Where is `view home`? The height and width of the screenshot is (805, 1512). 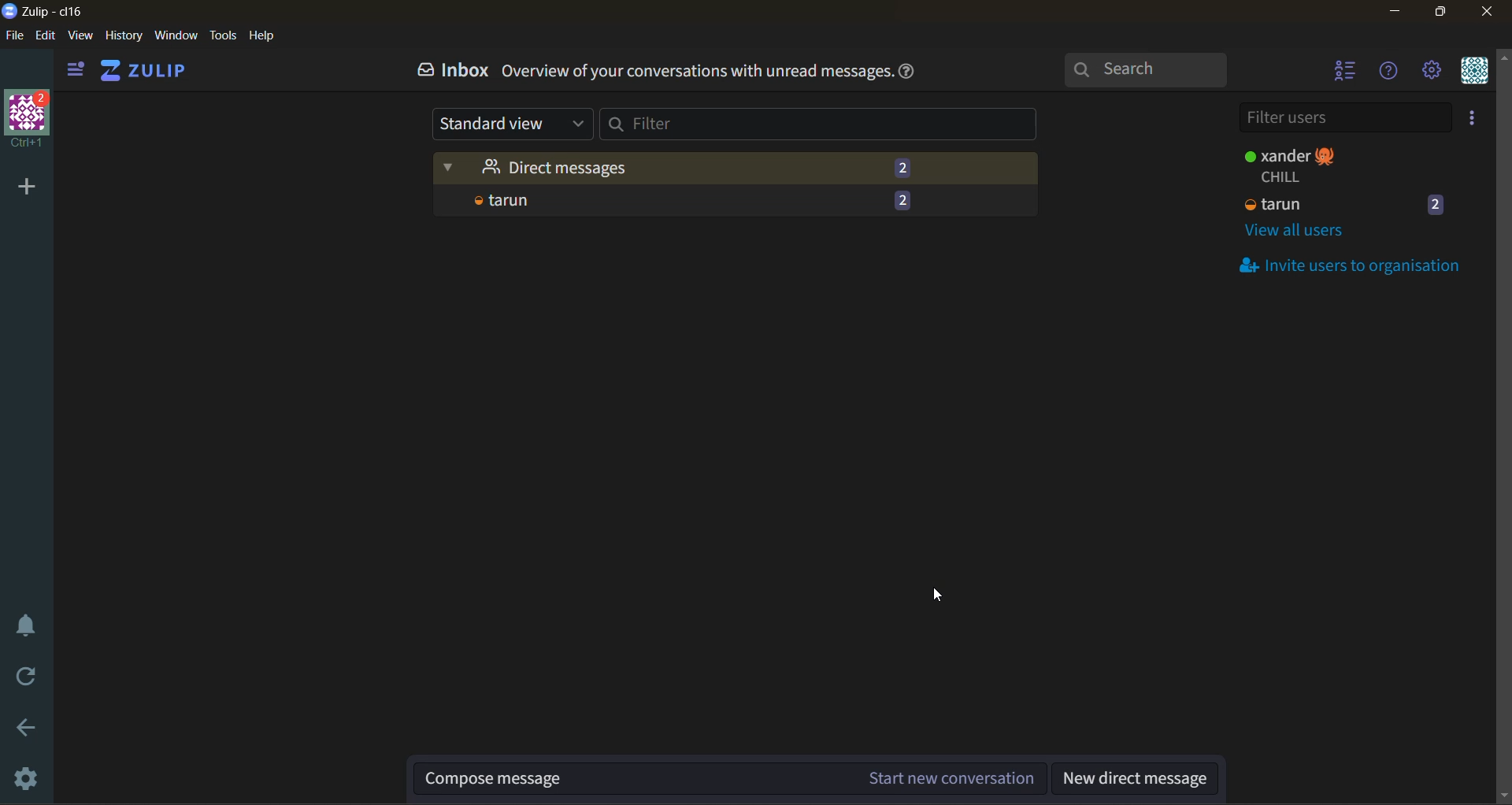 view home is located at coordinates (146, 71).